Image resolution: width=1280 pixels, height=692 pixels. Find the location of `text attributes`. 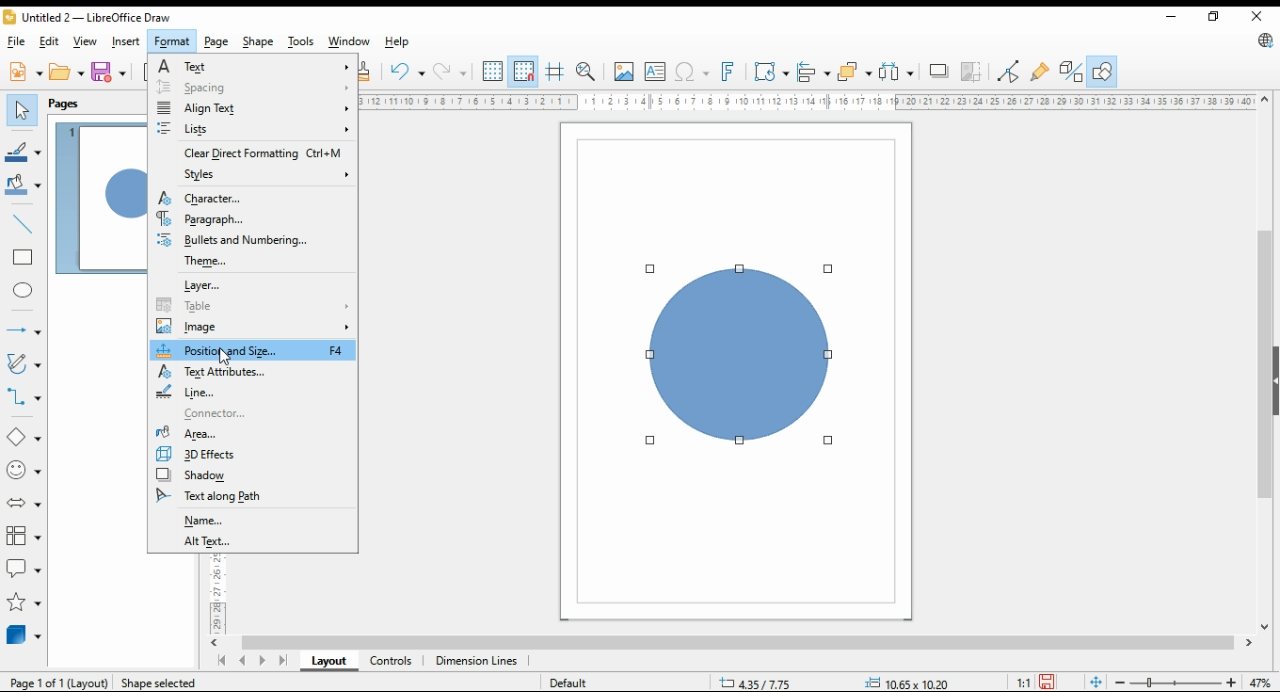

text attributes is located at coordinates (223, 372).